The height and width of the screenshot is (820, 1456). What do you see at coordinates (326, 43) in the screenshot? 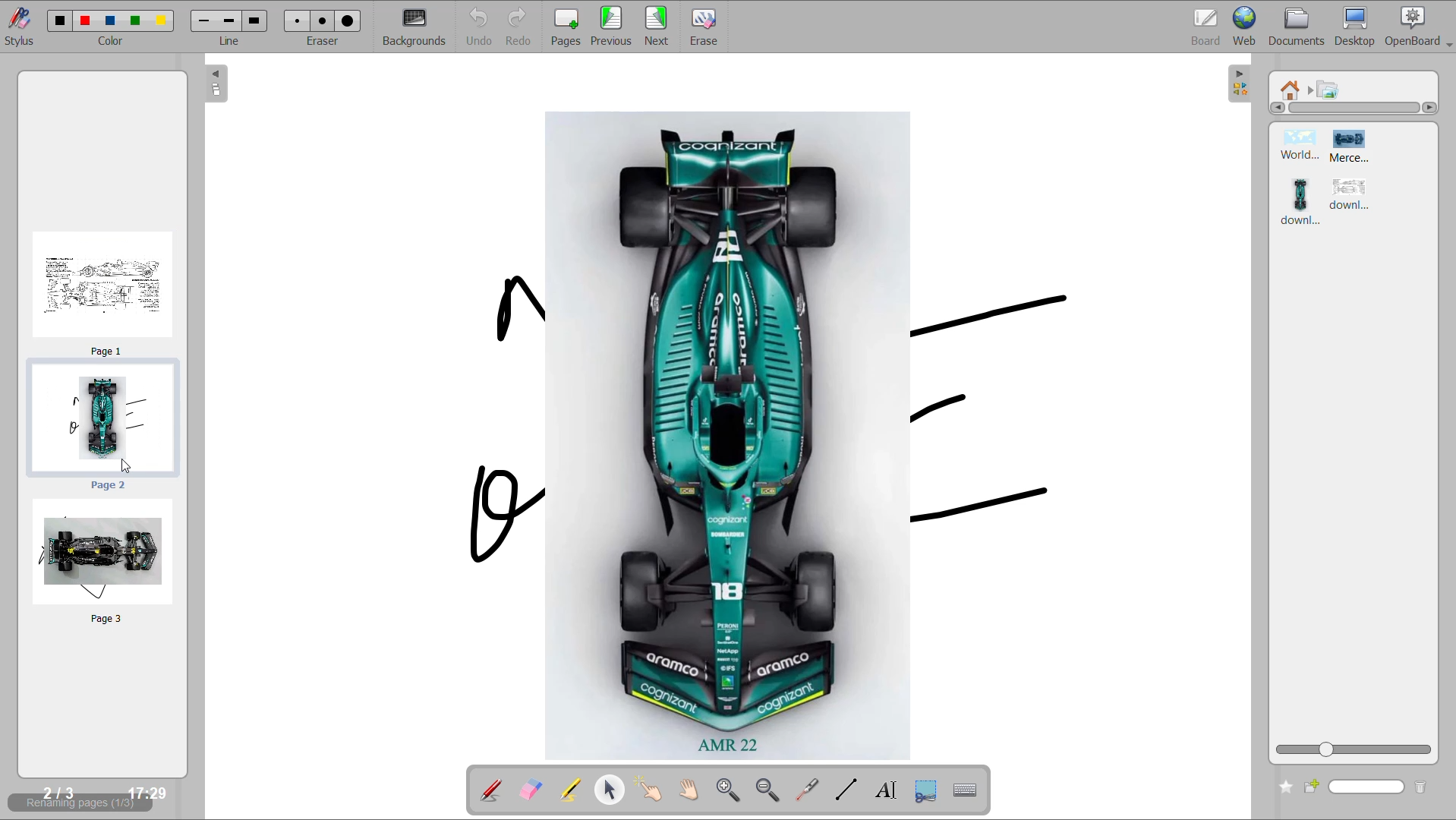
I see `eraser` at bounding box center [326, 43].